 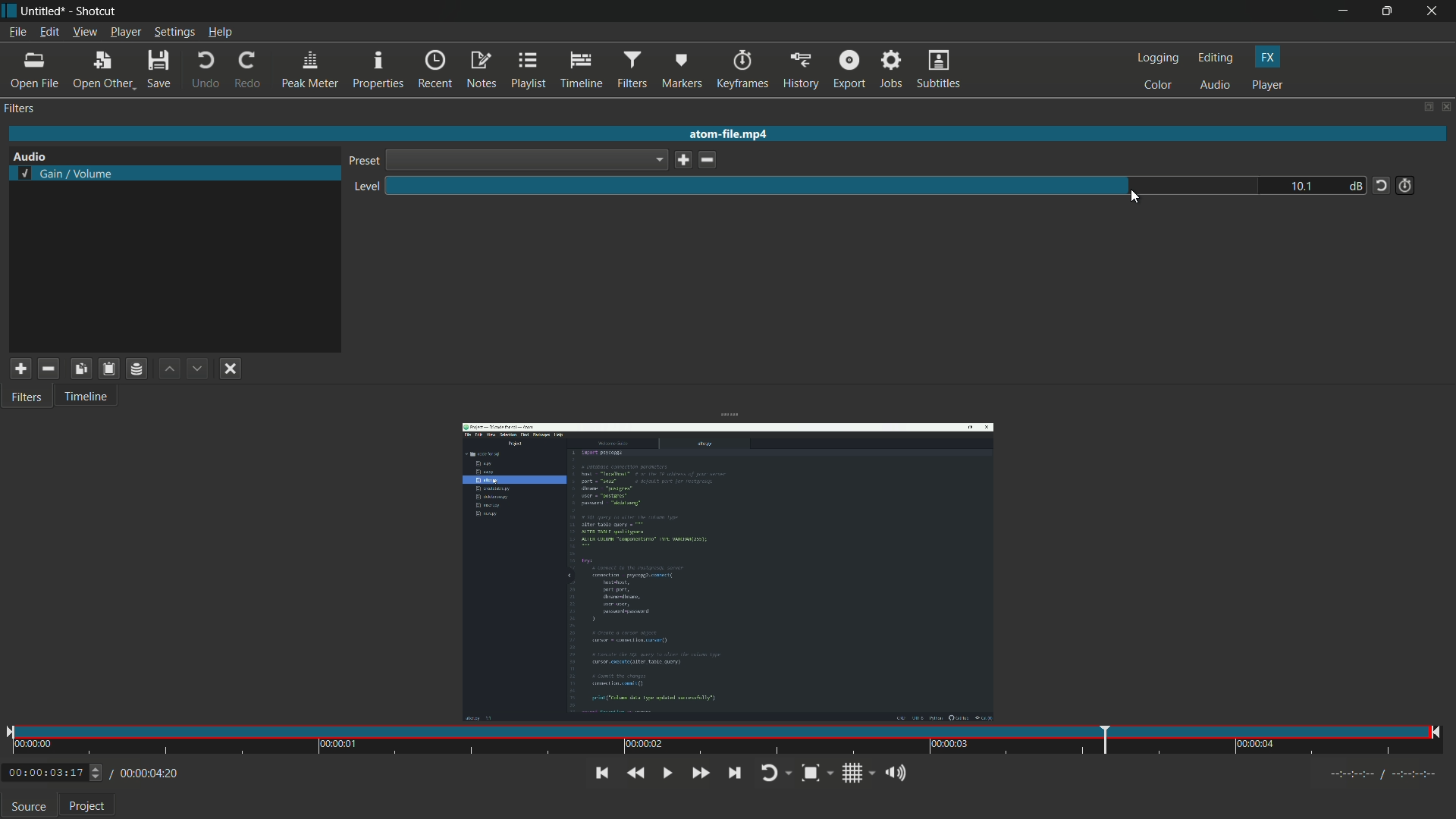 What do you see at coordinates (168, 369) in the screenshot?
I see `move filter up` at bounding box center [168, 369].